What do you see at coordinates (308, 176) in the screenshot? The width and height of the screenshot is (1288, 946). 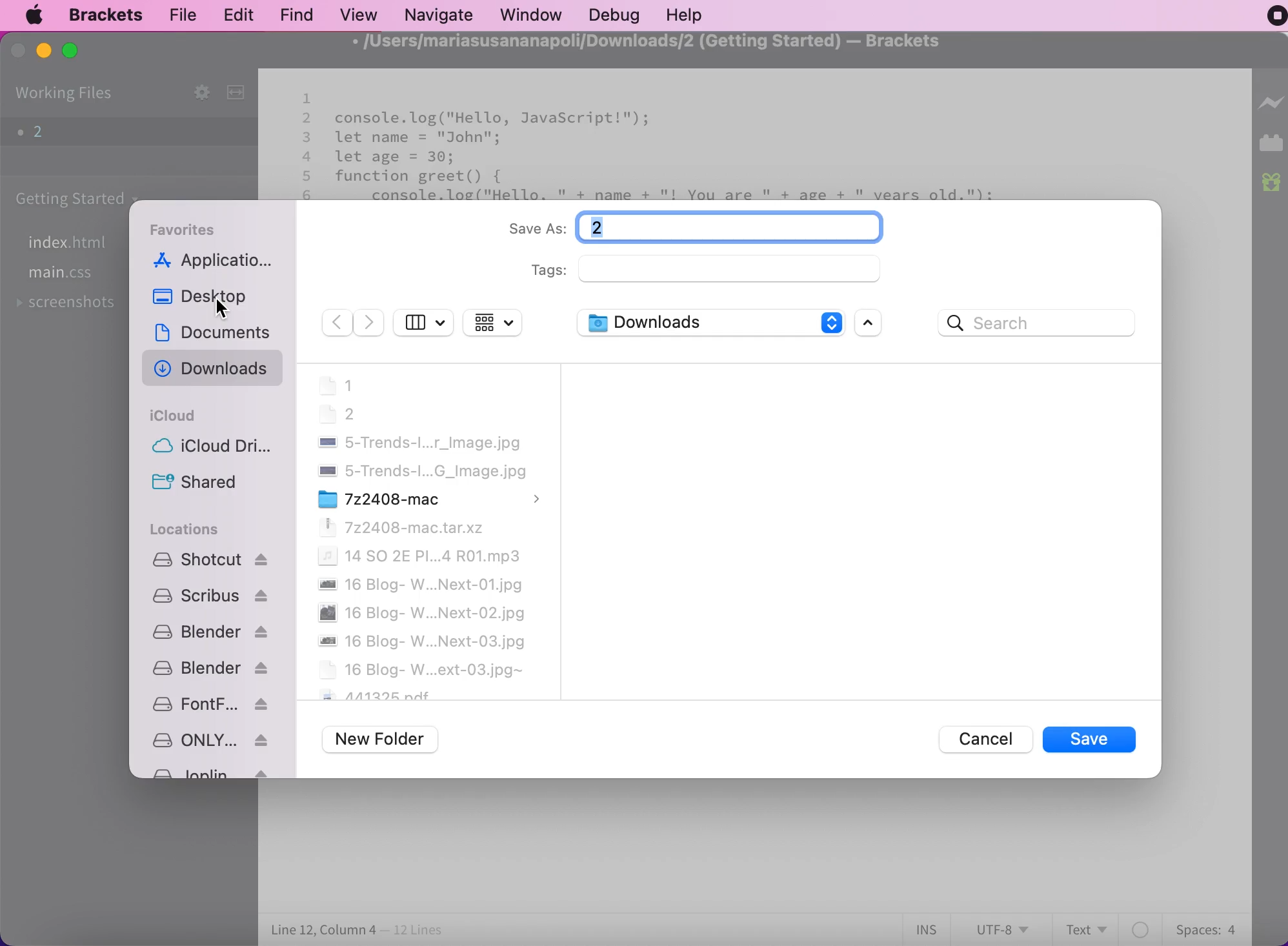 I see `5` at bounding box center [308, 176].